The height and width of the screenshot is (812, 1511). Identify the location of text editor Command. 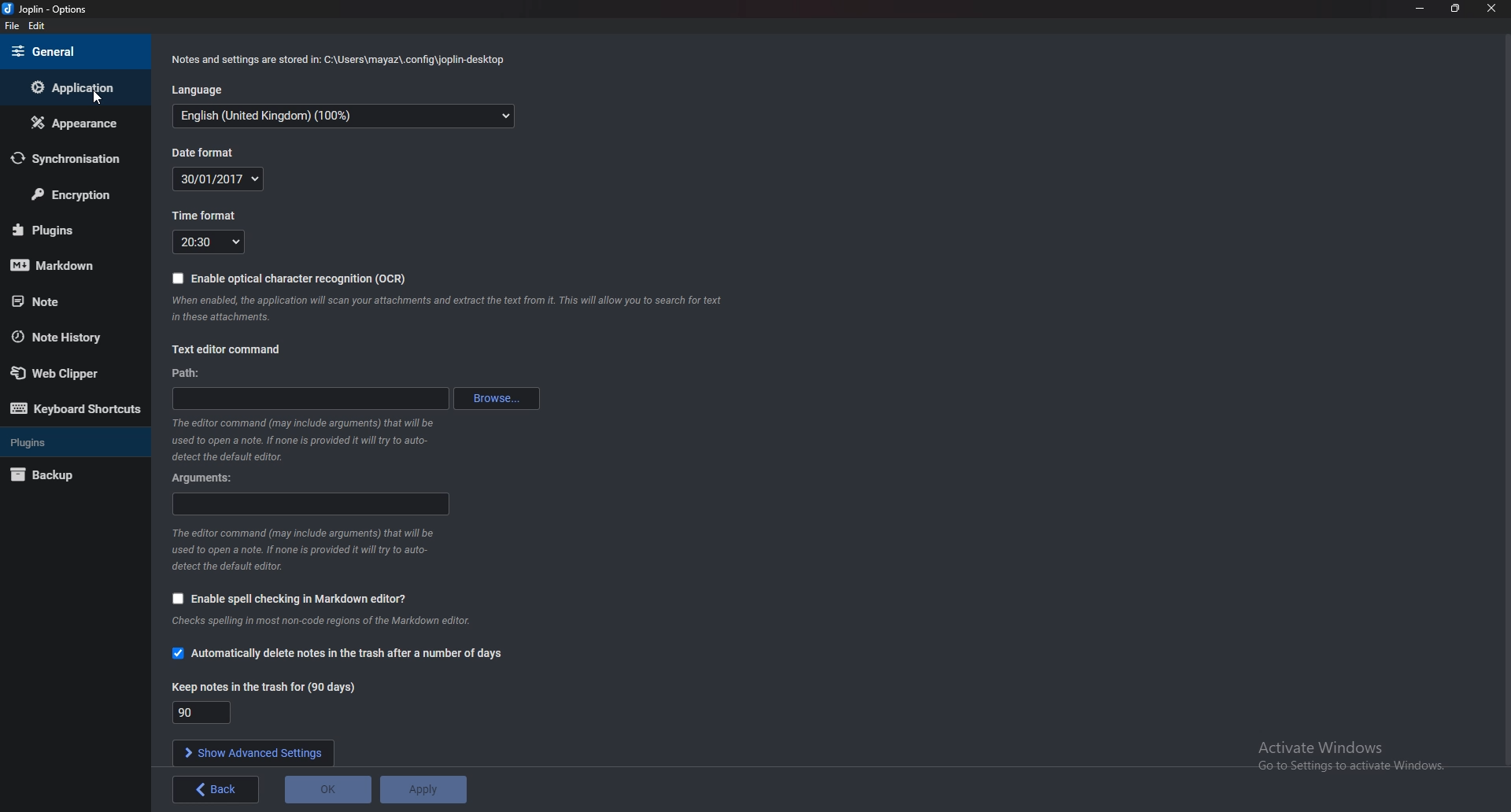
(230, 349).